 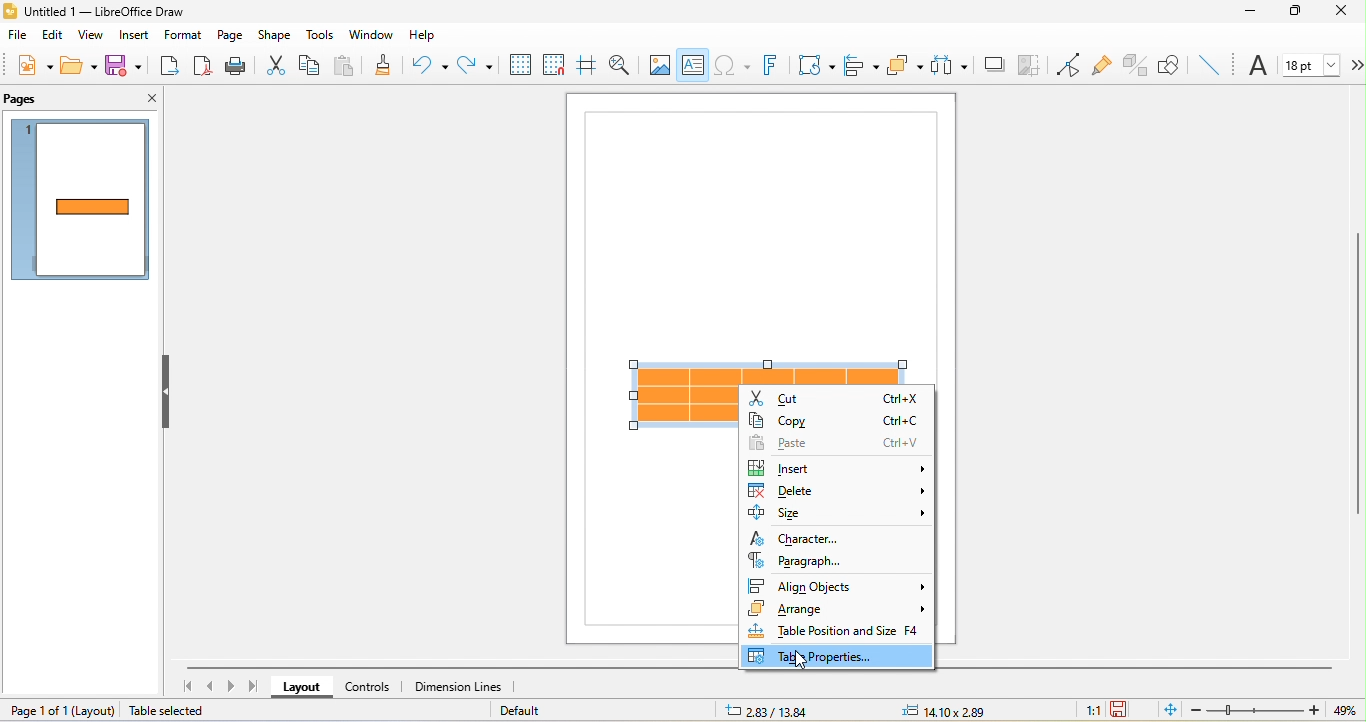 I want to click on align object, so click(x=841, y=583).